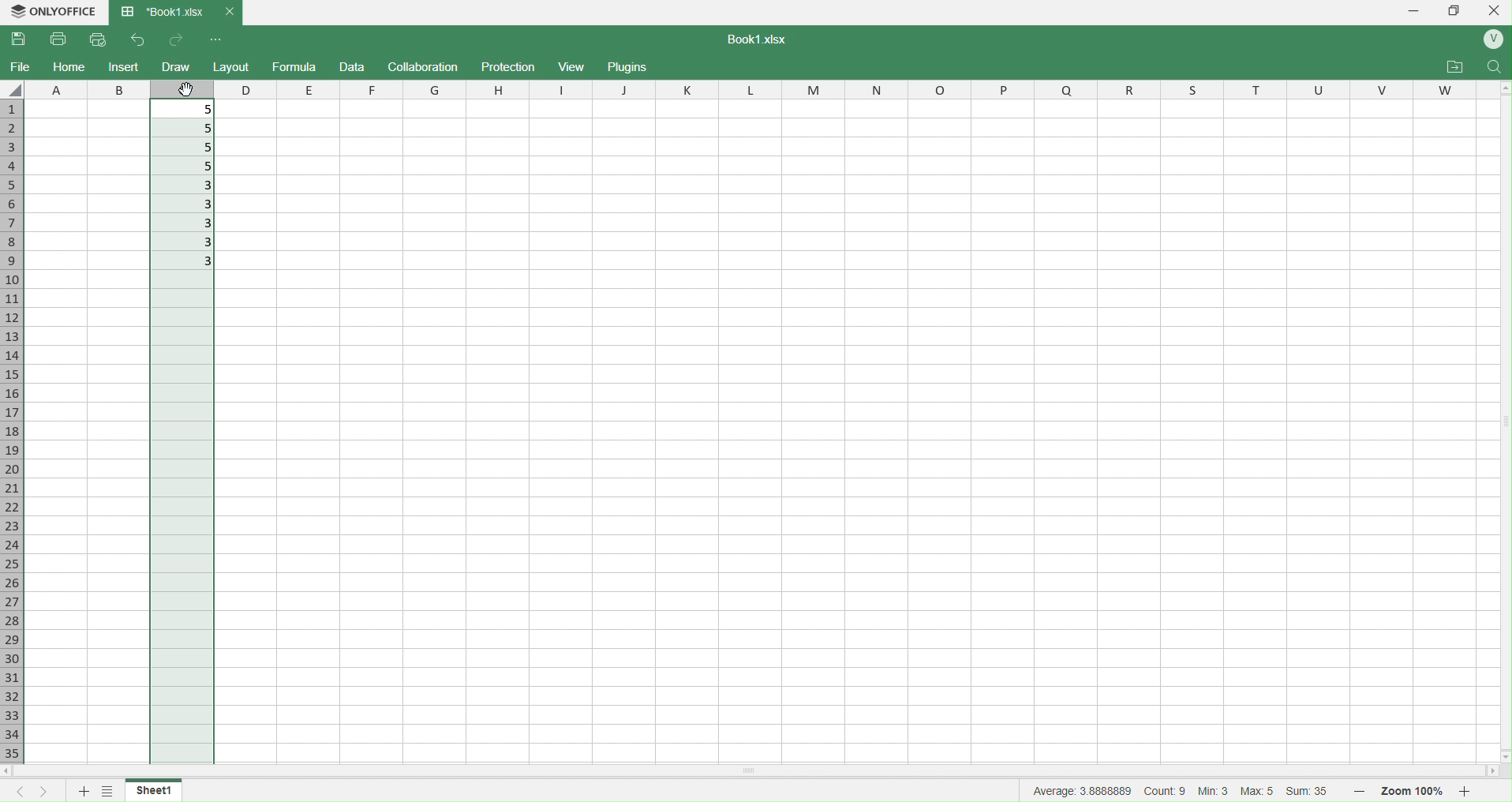  What do you see at coordinates (15, 89) in the screenshot?
I see `select all` at bounding box center [15, 89].